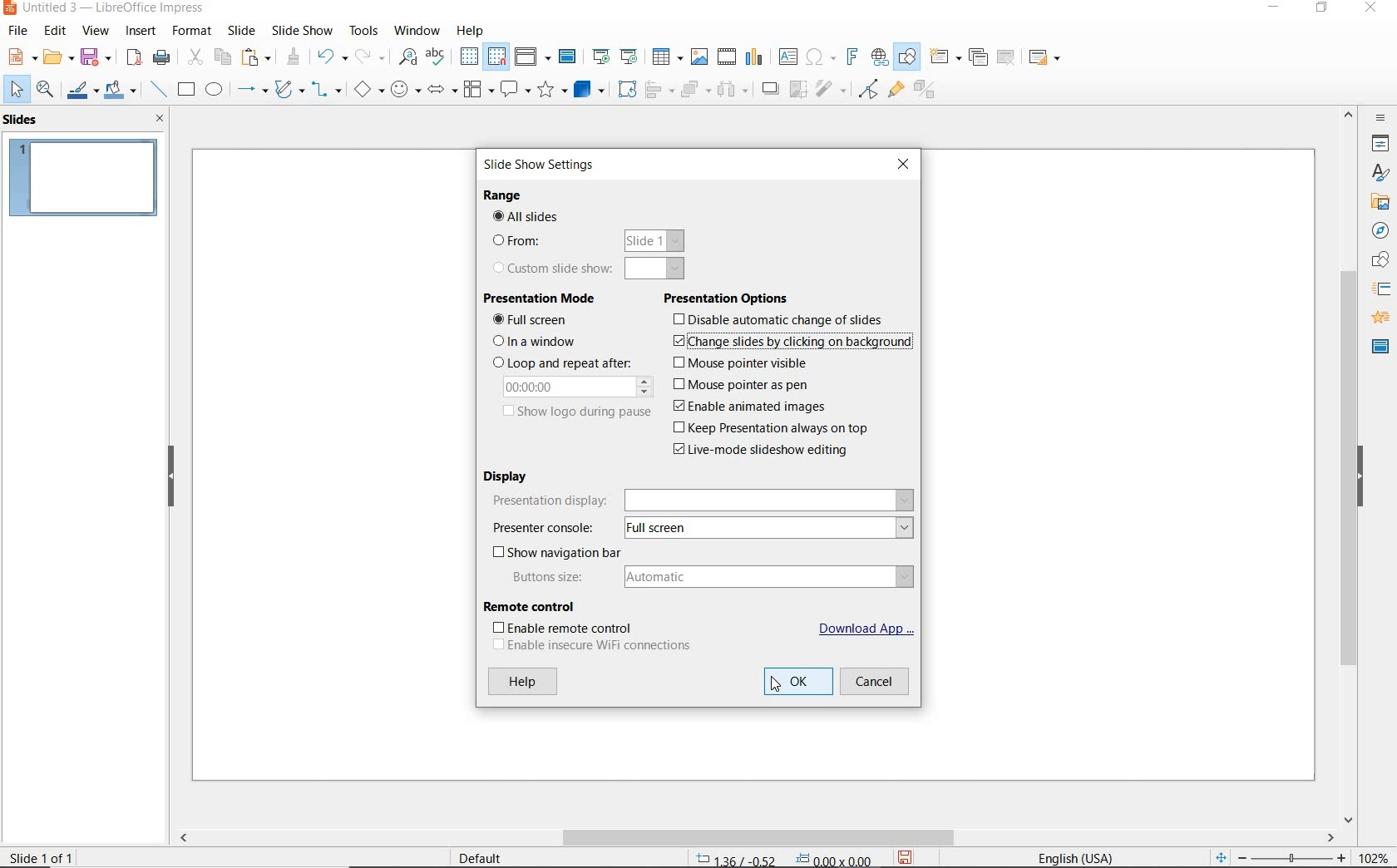 Image resolution: width=1397 pixels, height=868 pixels. I want to click on ALIGN OBJECTS, so click(655, 90).